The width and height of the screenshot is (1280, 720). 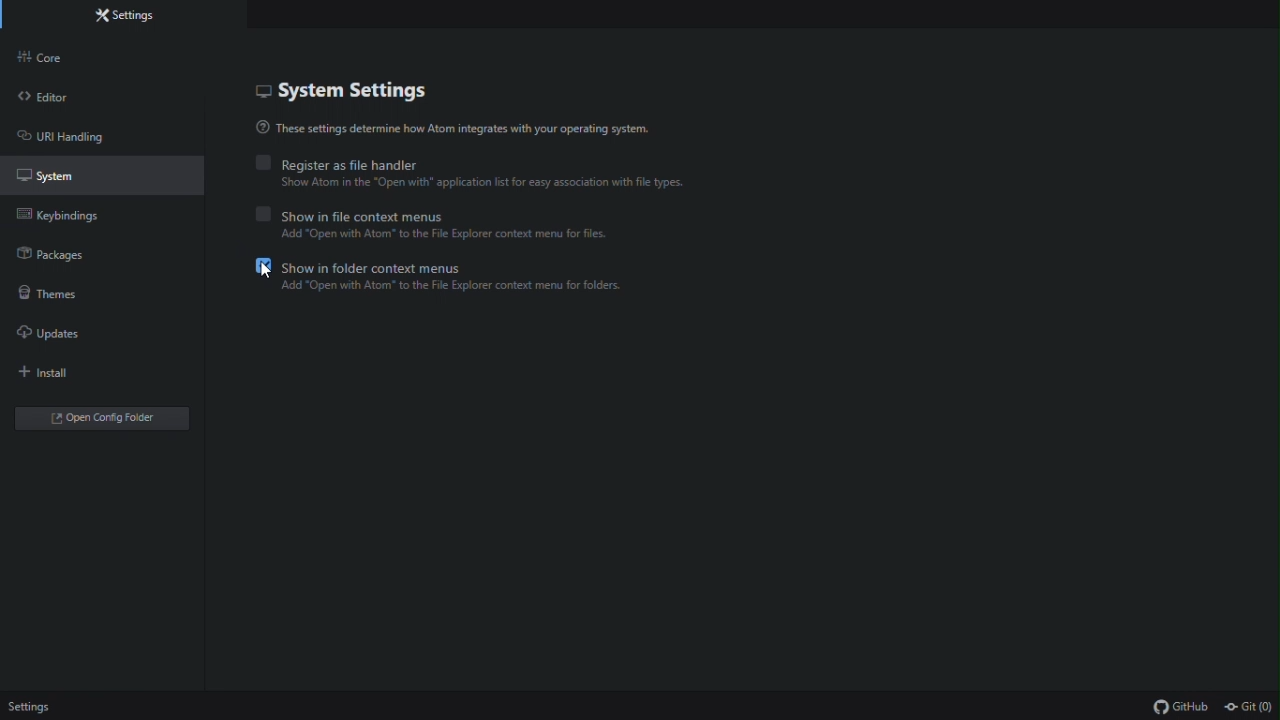 I want to click on ‘Add "Open with Atom” to the File Explorer context menu for files., so click(x=448, y=236).